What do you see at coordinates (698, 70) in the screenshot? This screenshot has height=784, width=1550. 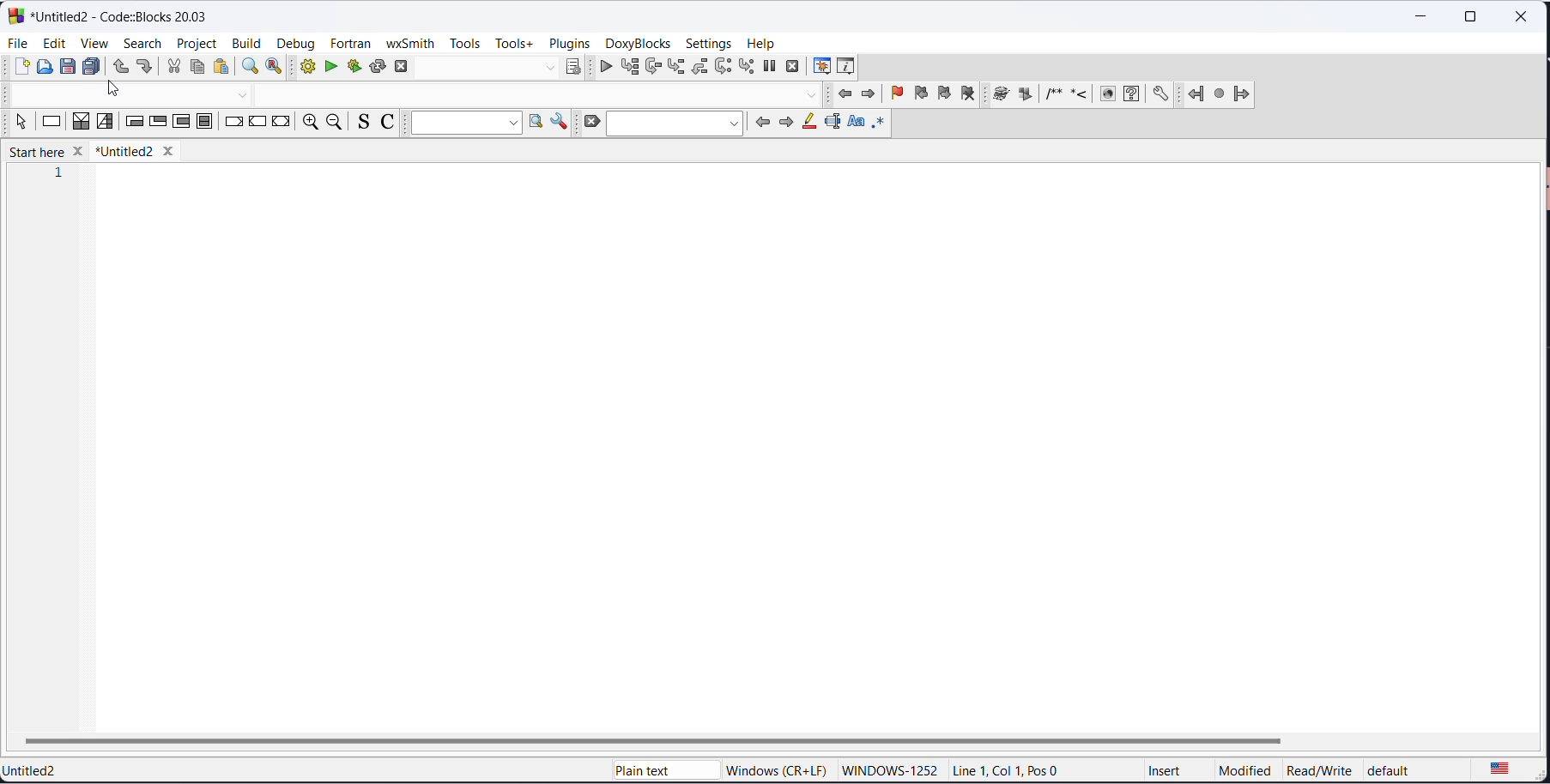 I see `step out` at bounding box center [698, 70].